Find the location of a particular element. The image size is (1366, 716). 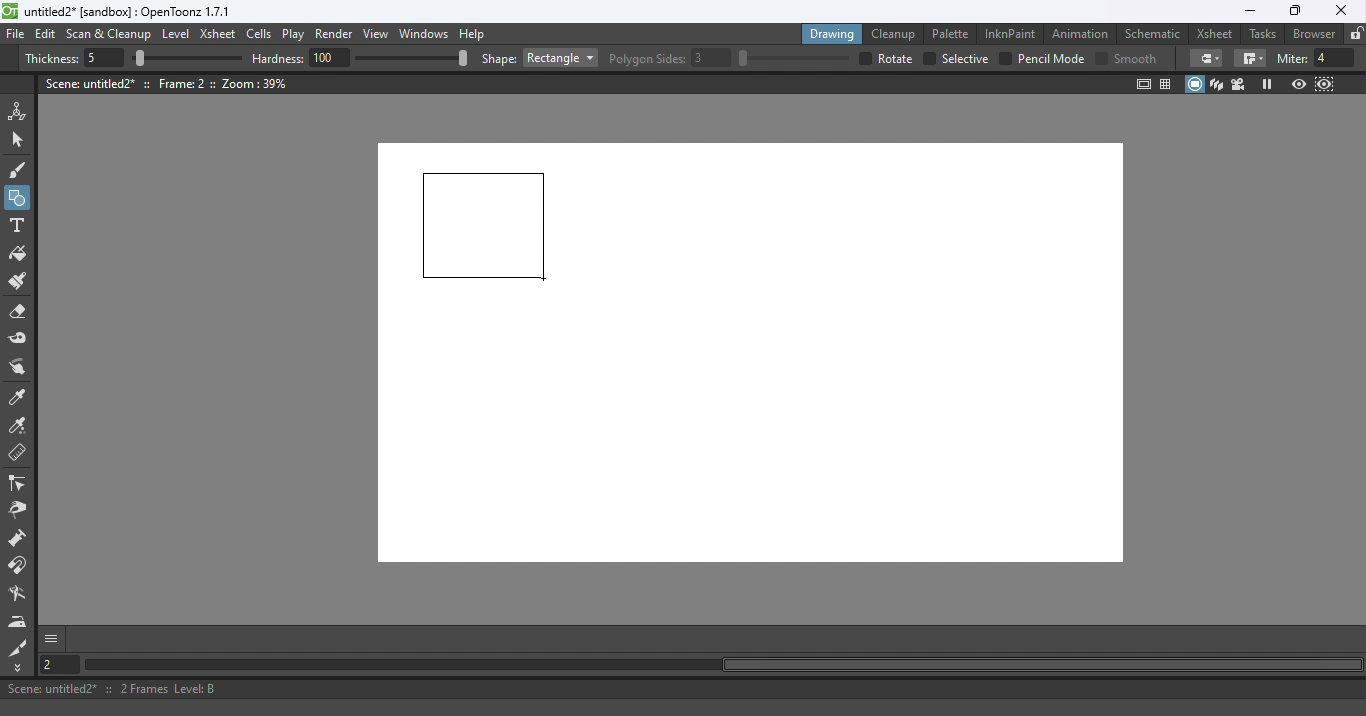

InknPaint is located at coordinates (1011, 32).